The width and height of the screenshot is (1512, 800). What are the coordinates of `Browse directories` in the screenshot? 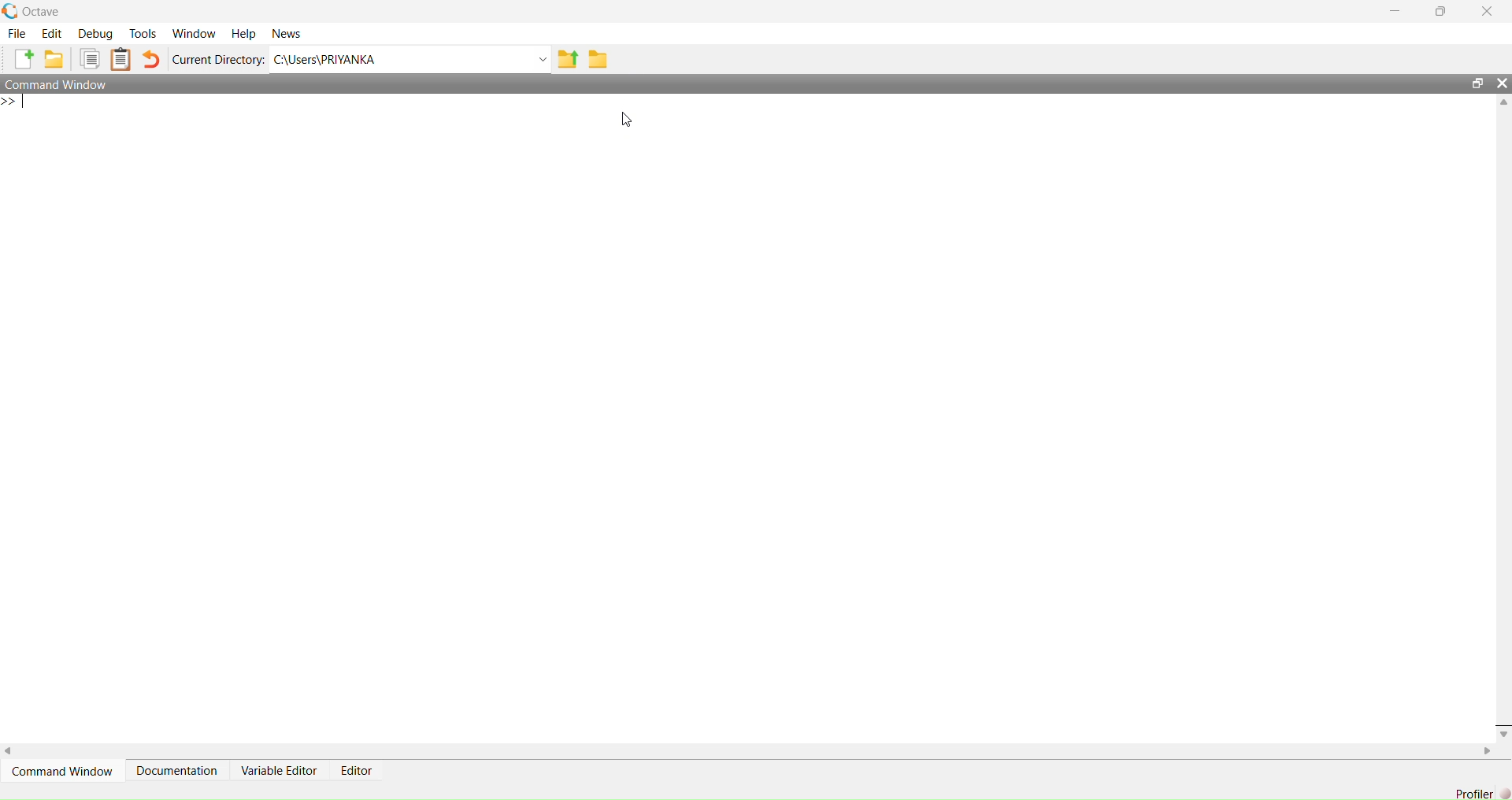 It's located at (600, 59).